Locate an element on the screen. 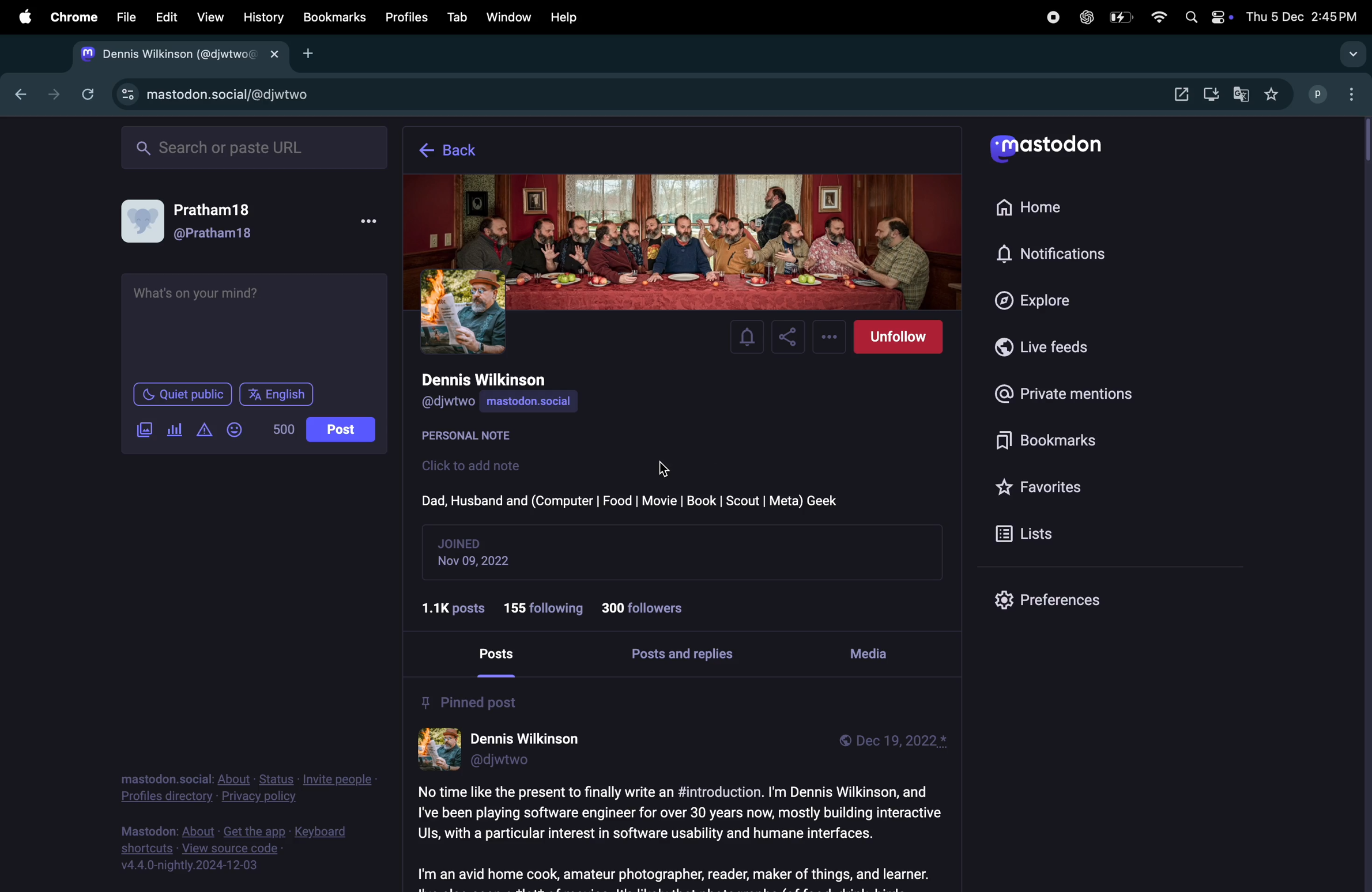 This screenshot has width=1372, height=892. post is located at coordinates (502, 655).